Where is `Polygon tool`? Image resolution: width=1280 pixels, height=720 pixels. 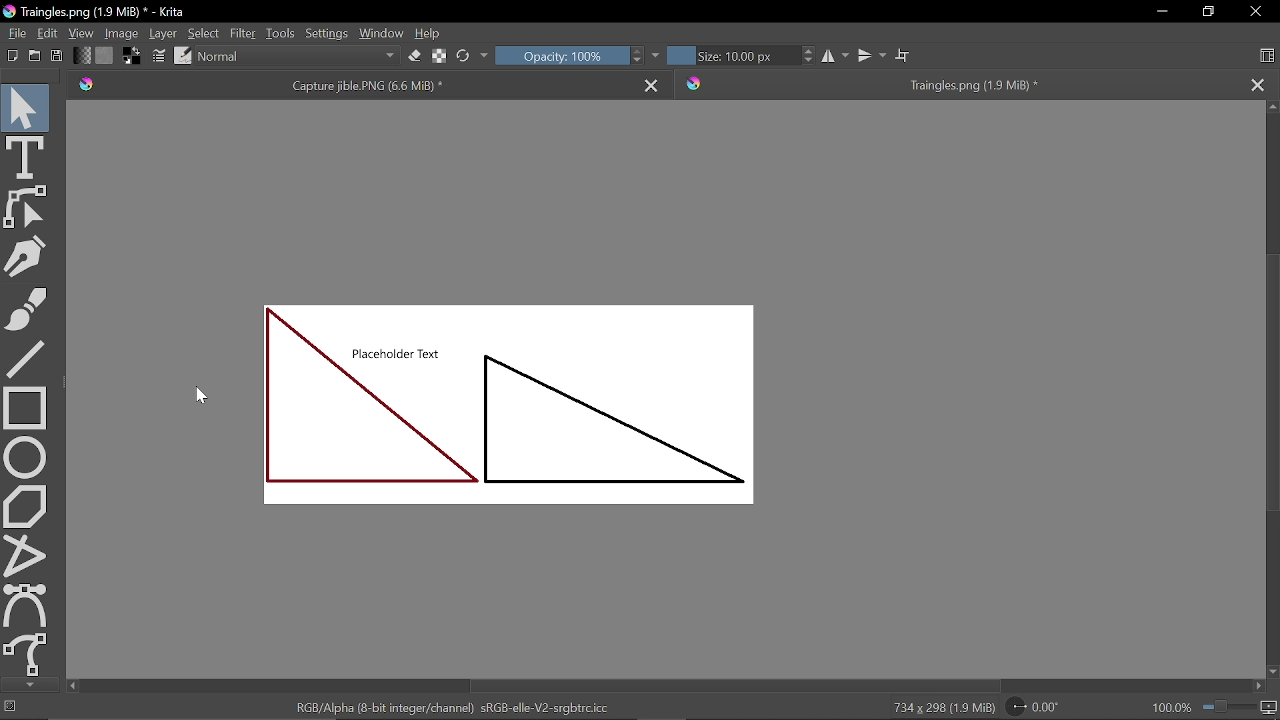 Polygon tool is located at coordinates (26, 505).